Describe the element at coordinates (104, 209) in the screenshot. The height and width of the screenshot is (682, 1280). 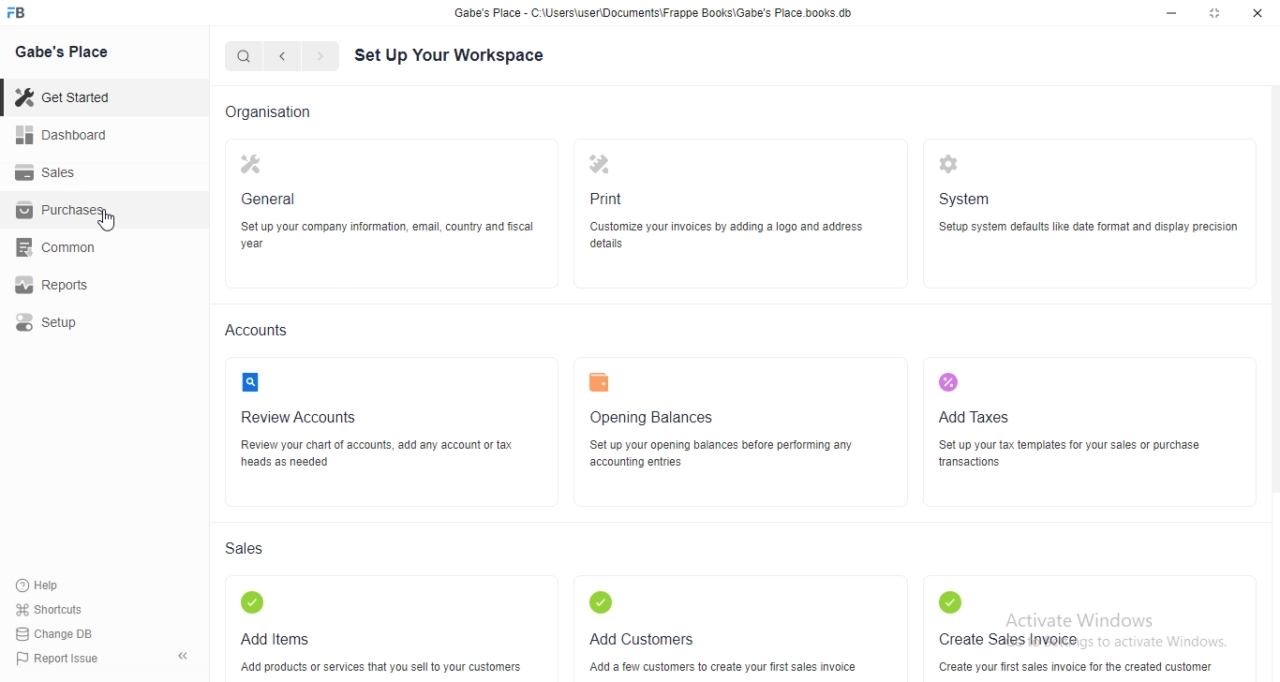
I see `Purchases` at that location.